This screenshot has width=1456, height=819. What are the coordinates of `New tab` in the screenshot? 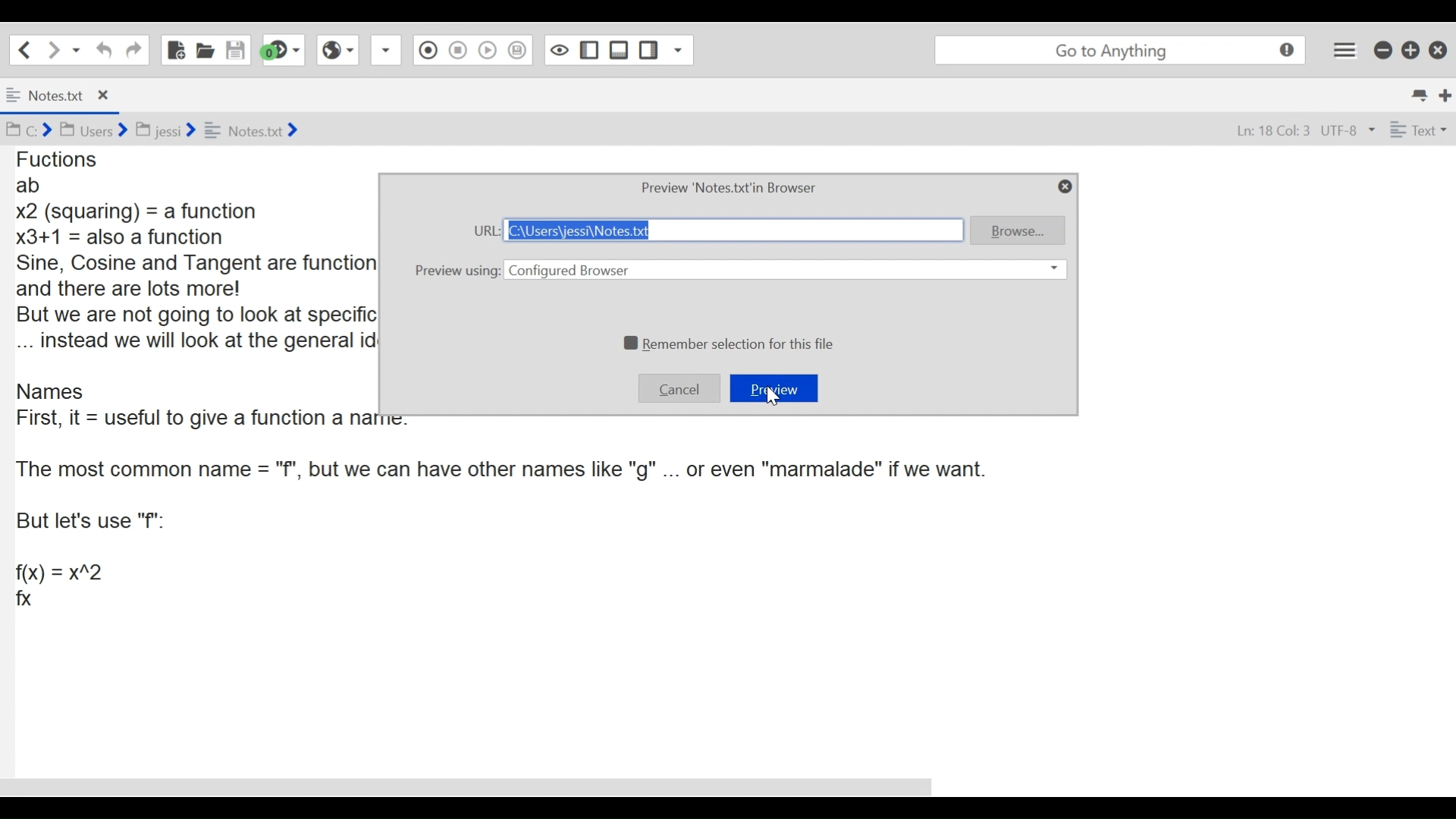 It's located at (1442, 94).